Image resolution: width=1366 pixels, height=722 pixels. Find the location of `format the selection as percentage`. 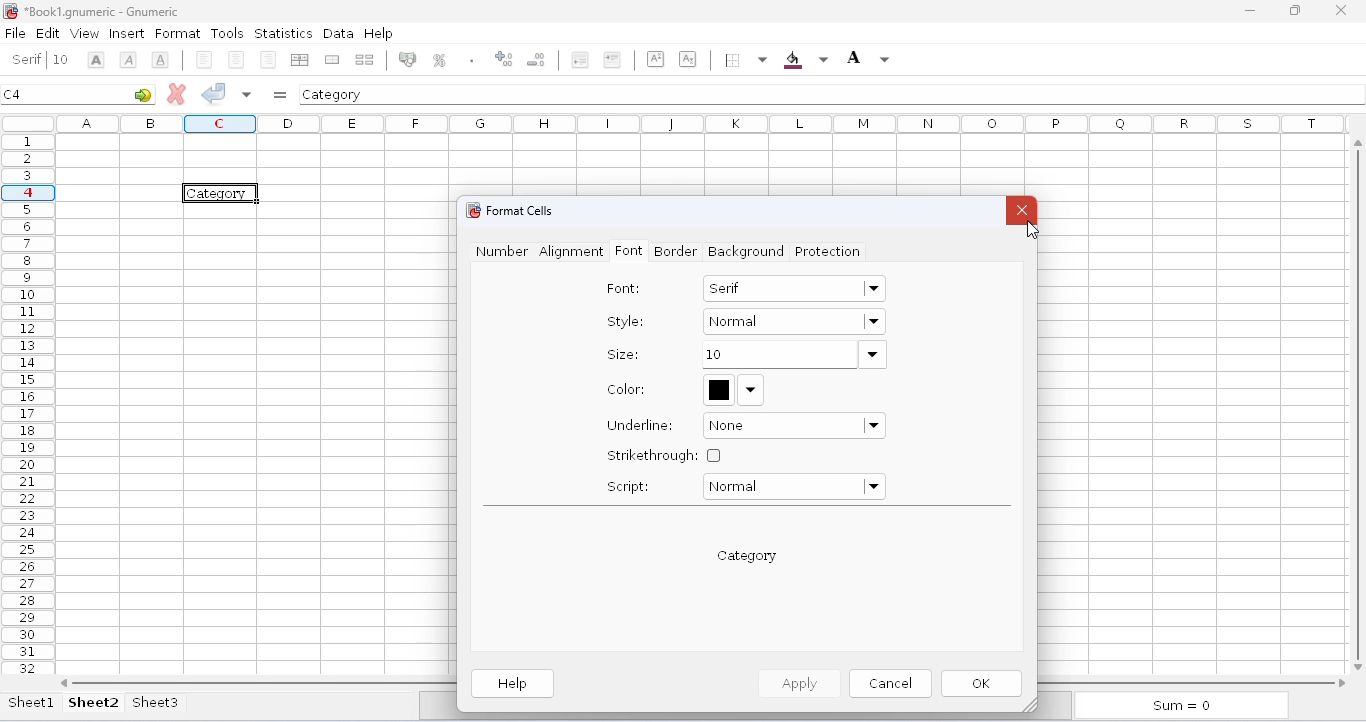

format the selection as percentage is located at coordinates (477, 59).